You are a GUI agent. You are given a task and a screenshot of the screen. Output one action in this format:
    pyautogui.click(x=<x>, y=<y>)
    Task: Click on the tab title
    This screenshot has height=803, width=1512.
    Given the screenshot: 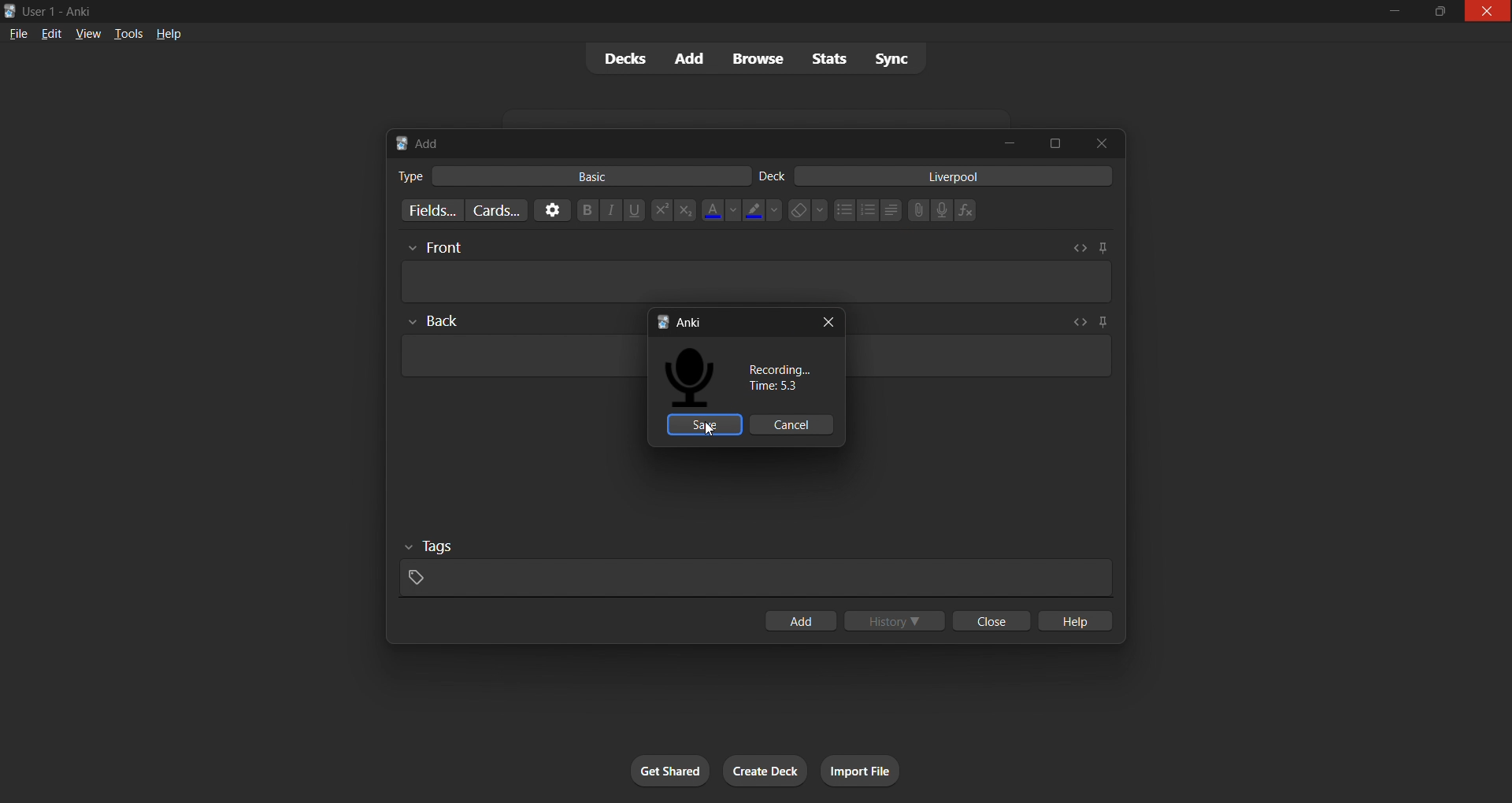 What is the action you would take?
    pyautogui.click(x=686, y=141)
    